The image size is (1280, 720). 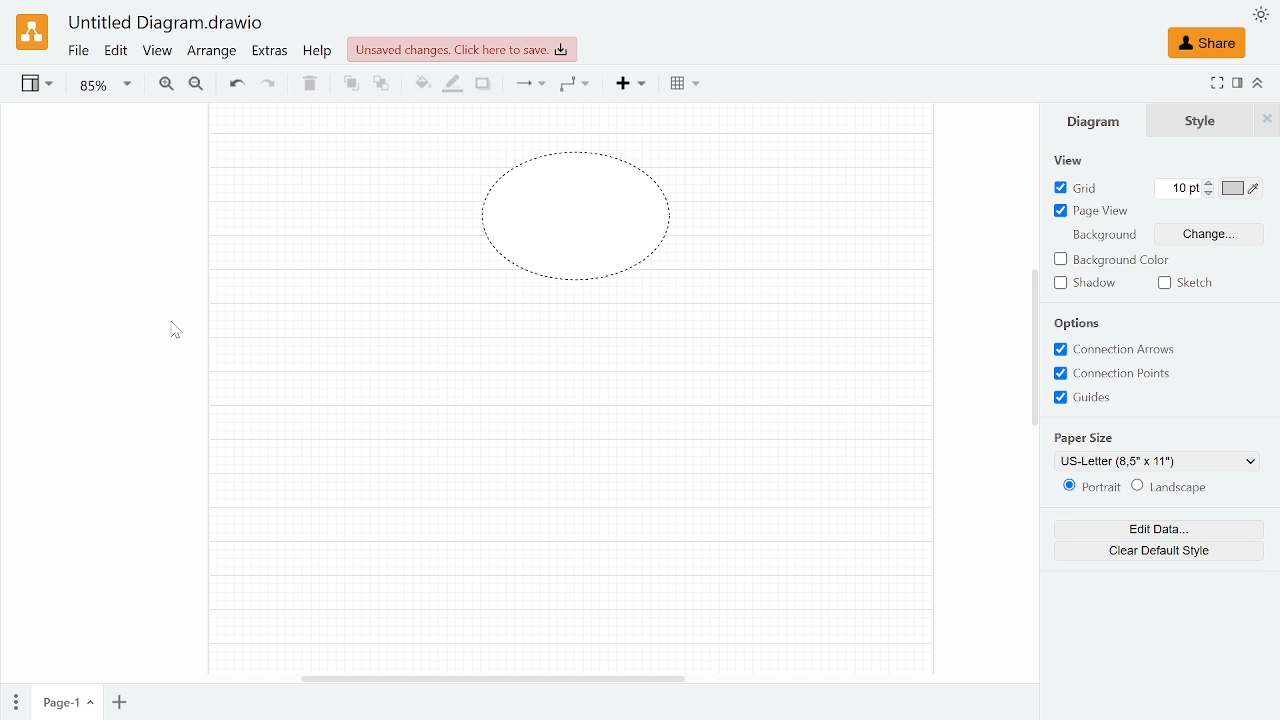 I want to click on background, so click(x=1107, y=235).